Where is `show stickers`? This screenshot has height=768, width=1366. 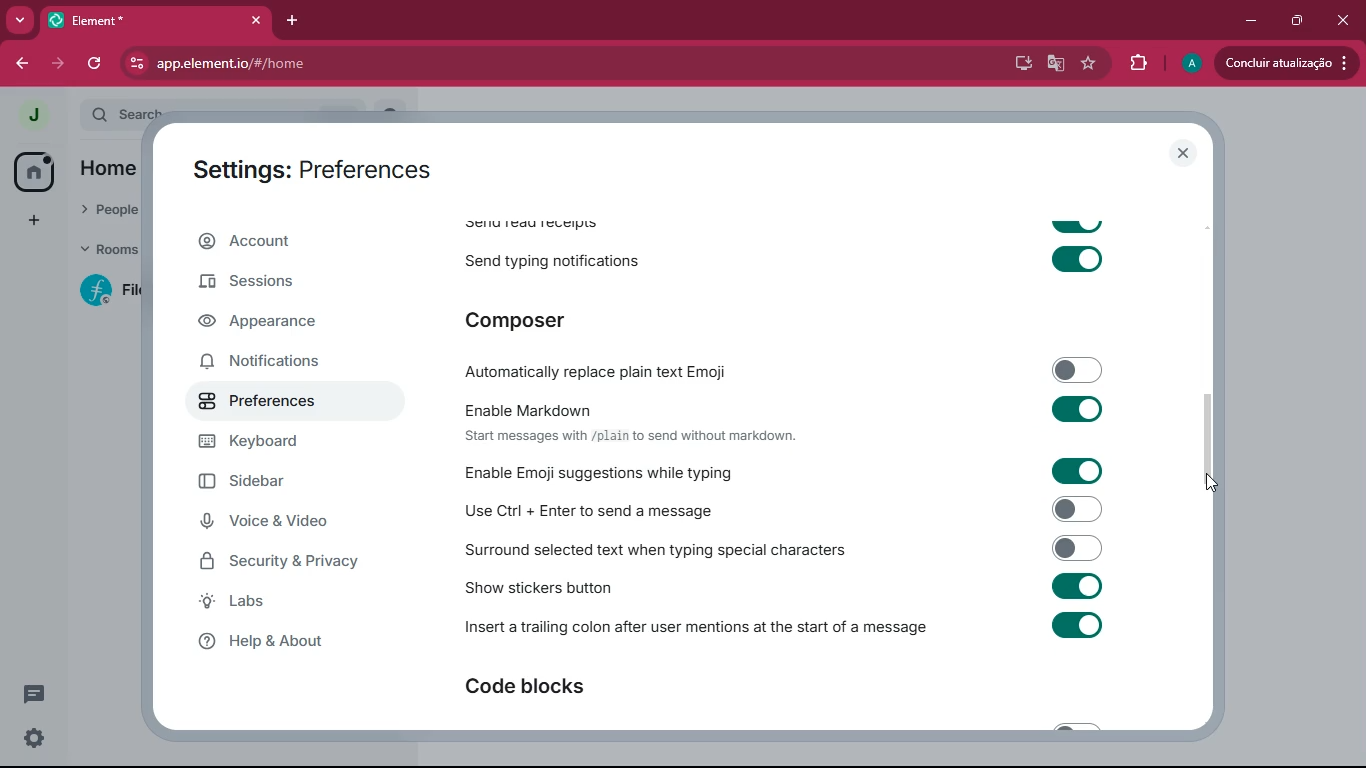 show stickers is located at coordinates (810, 588).